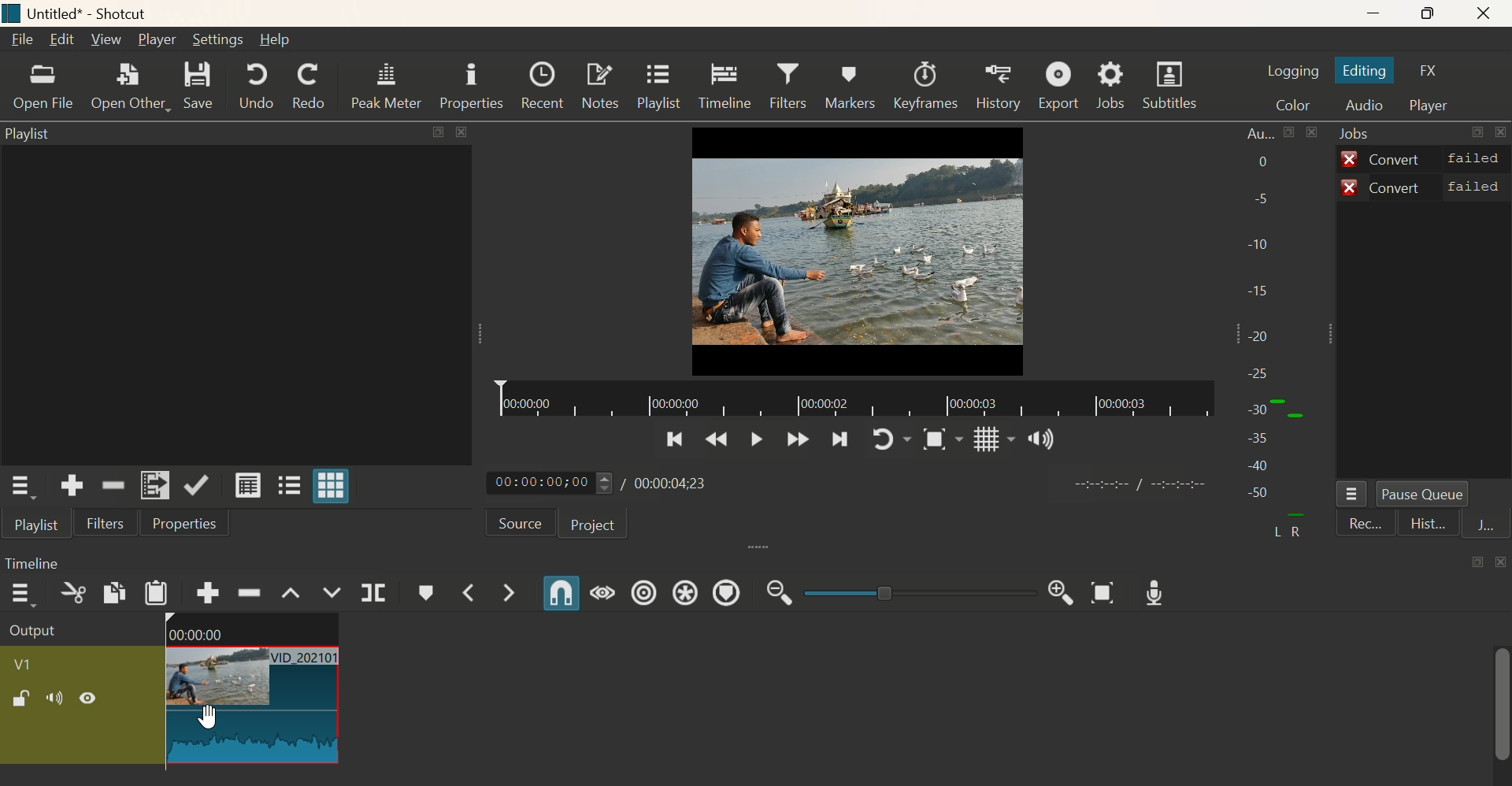 The height and width of the screenshot is (786, 1512). Describe the element at coordinates (163, 38) in the screenshot. I see `` at that location.